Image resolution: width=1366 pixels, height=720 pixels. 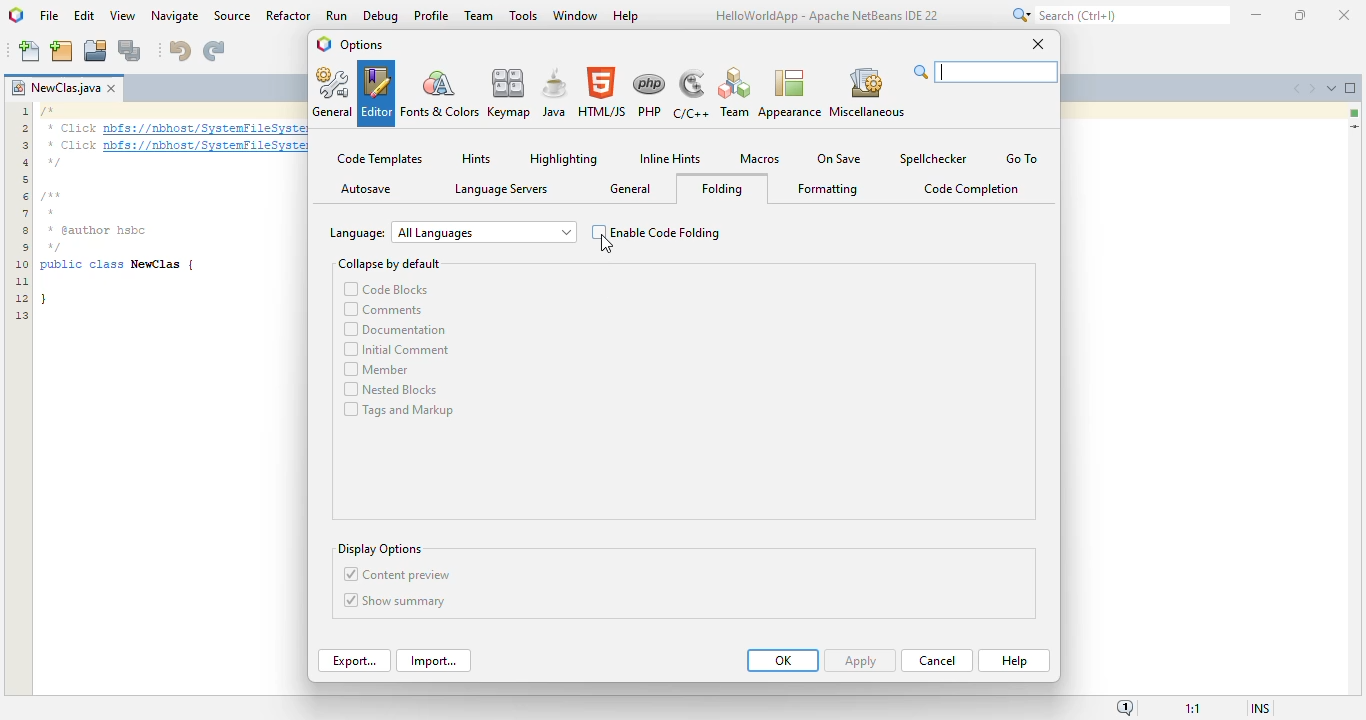 I want to click on HelloWorldApp - Apache NetBeans IDE 22, so click(x=826, y=18).